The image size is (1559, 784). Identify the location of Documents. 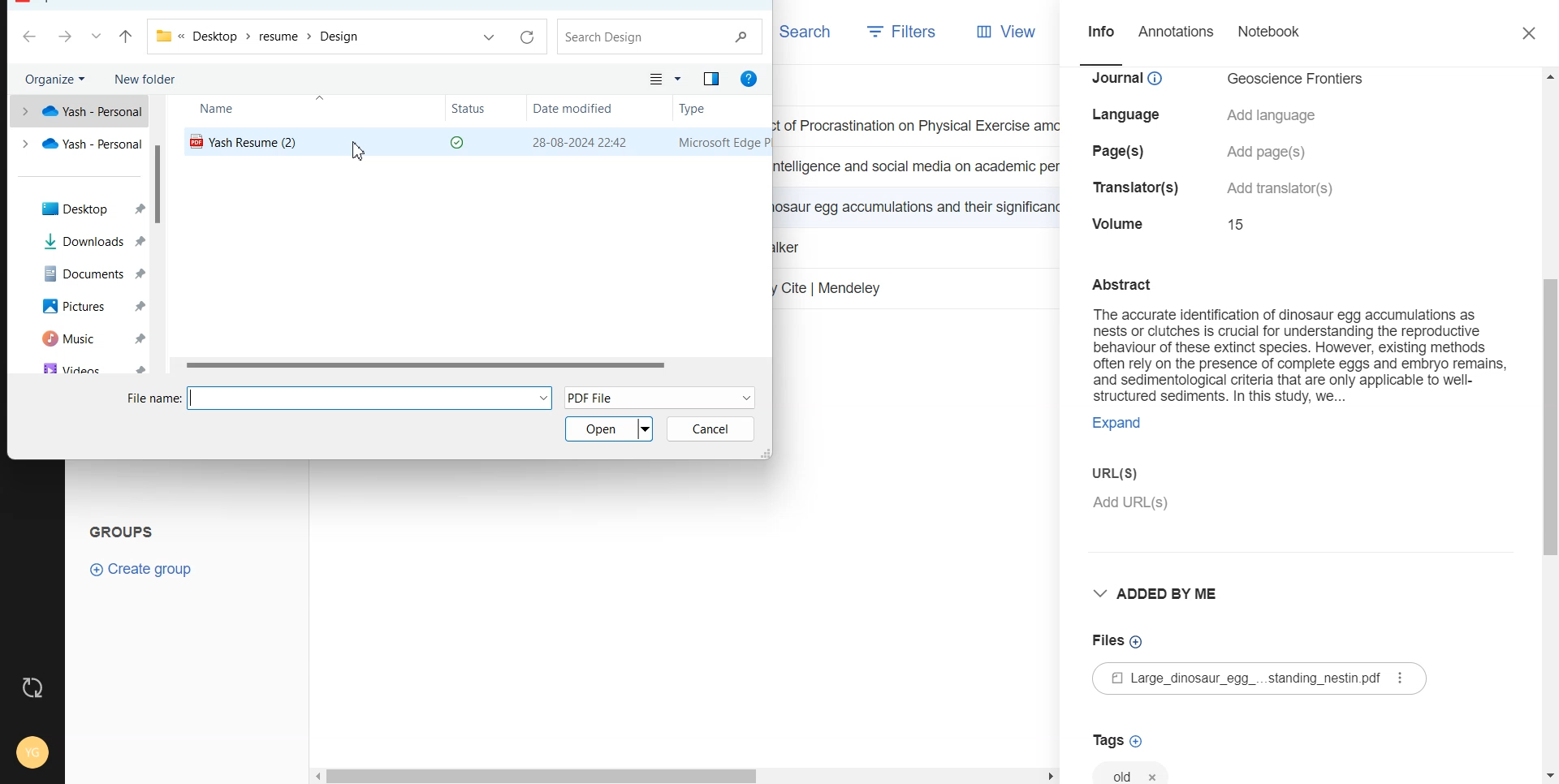
(80, 272).